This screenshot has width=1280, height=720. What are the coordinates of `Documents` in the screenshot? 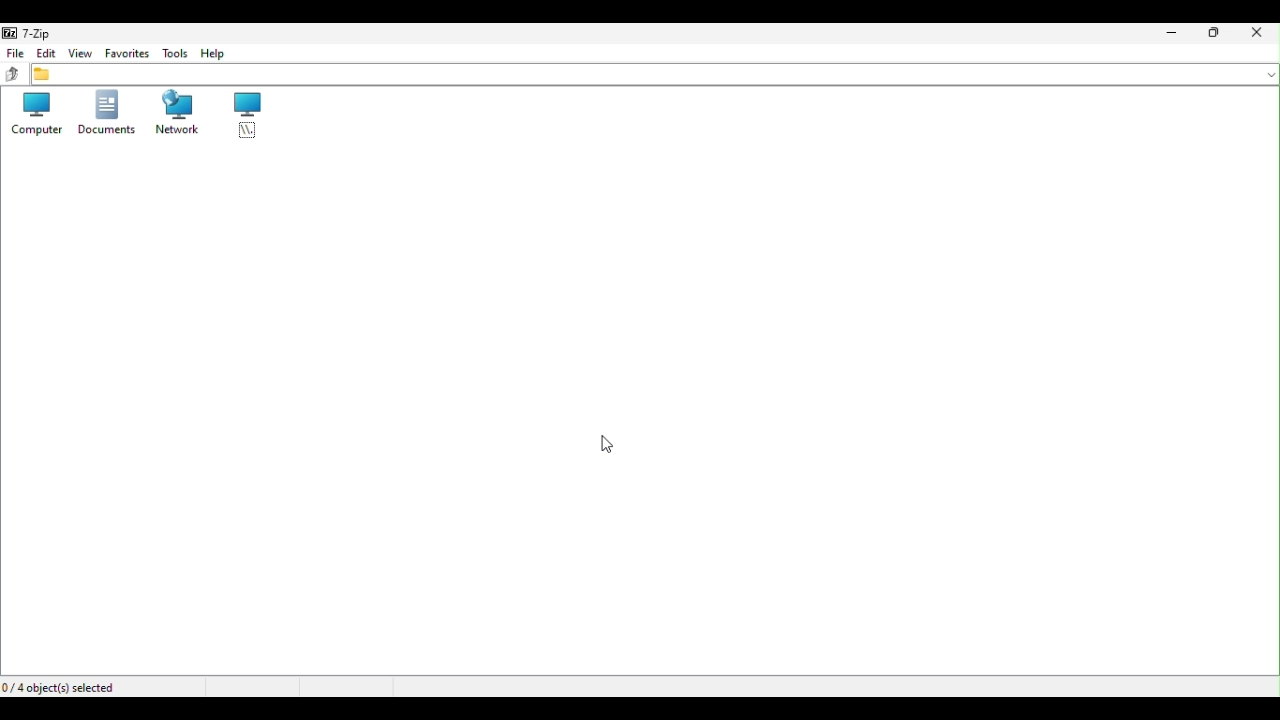 It's located at (109, 115).